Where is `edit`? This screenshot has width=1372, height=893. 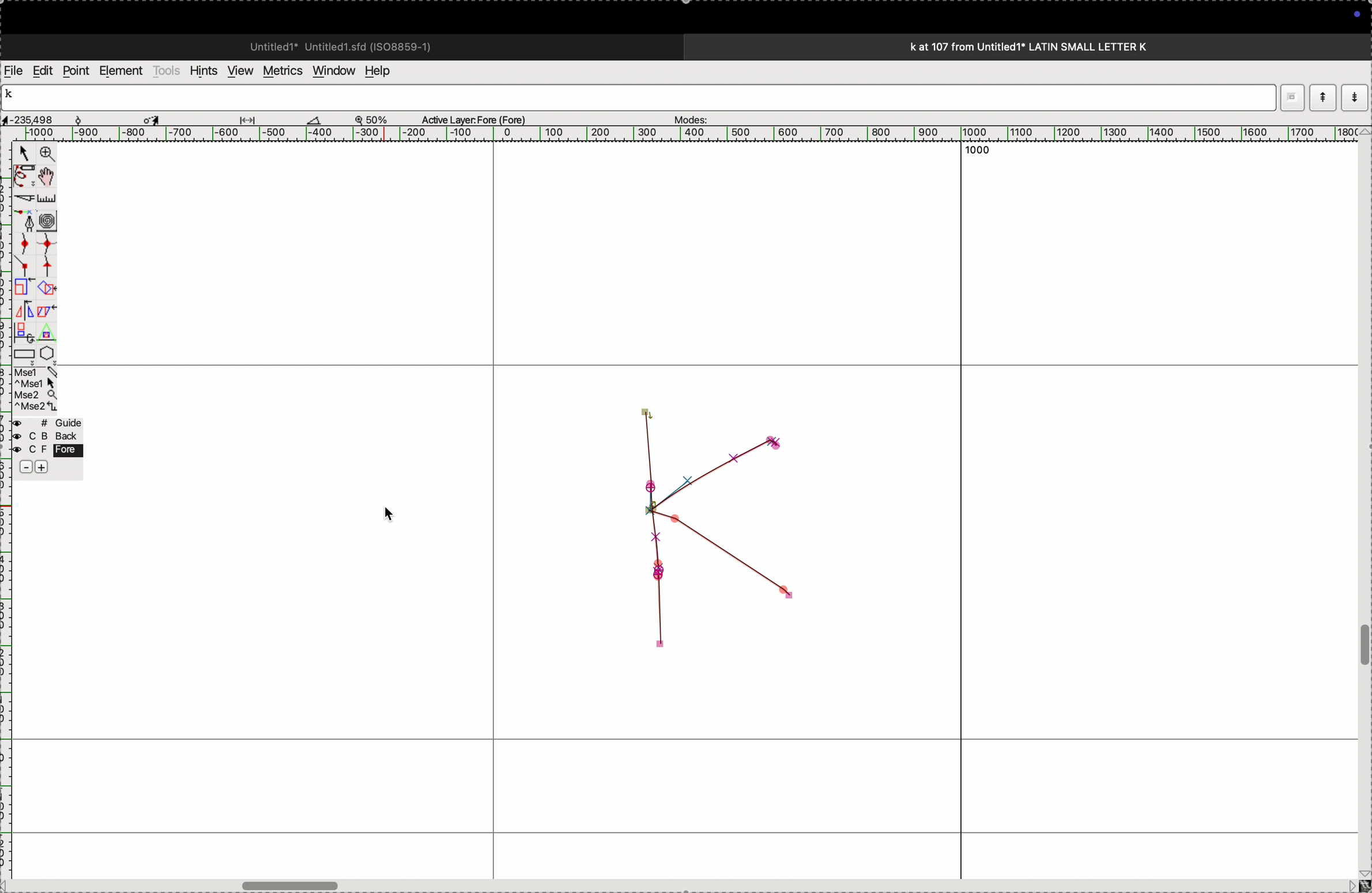 edit is located at coordinates (42, 70).